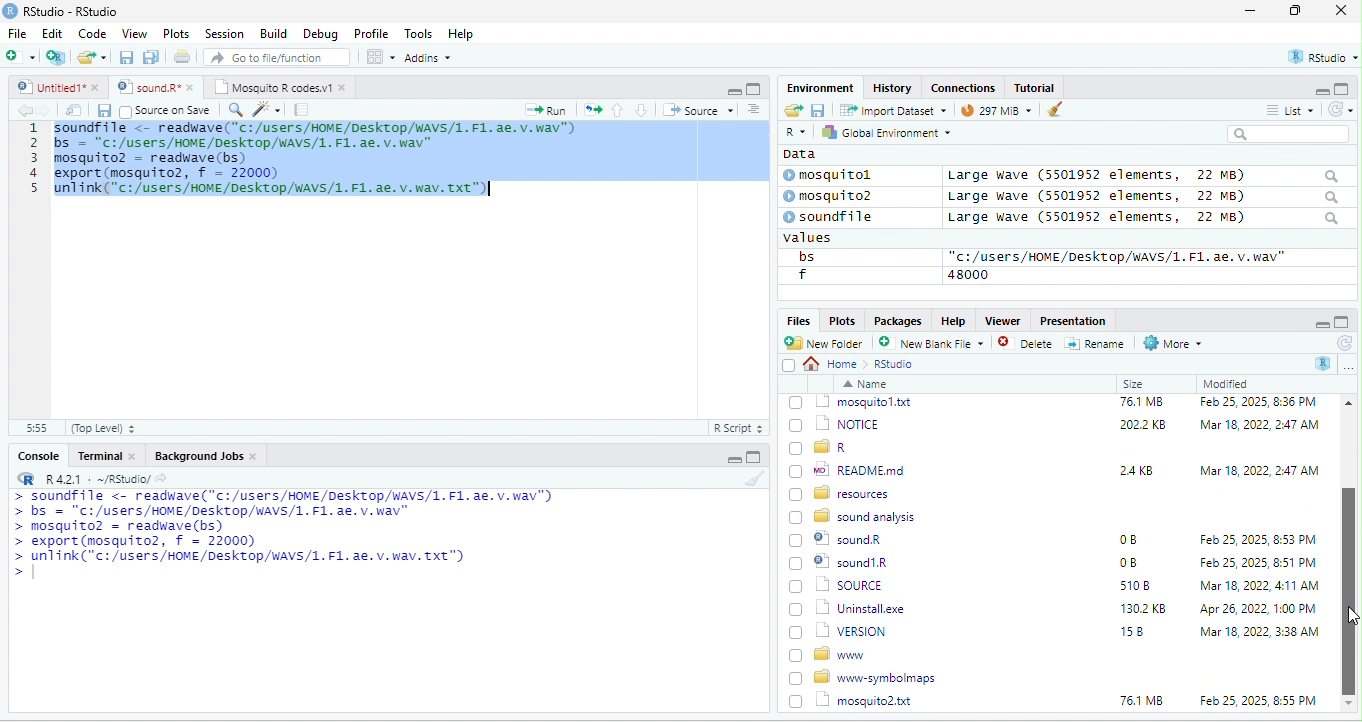 The height and width of the screenshot is (722, 1362). What do you see at coordinates (838, 426) in the screenshot?
I see `© Rhistory` at bounding box center [838, 426].